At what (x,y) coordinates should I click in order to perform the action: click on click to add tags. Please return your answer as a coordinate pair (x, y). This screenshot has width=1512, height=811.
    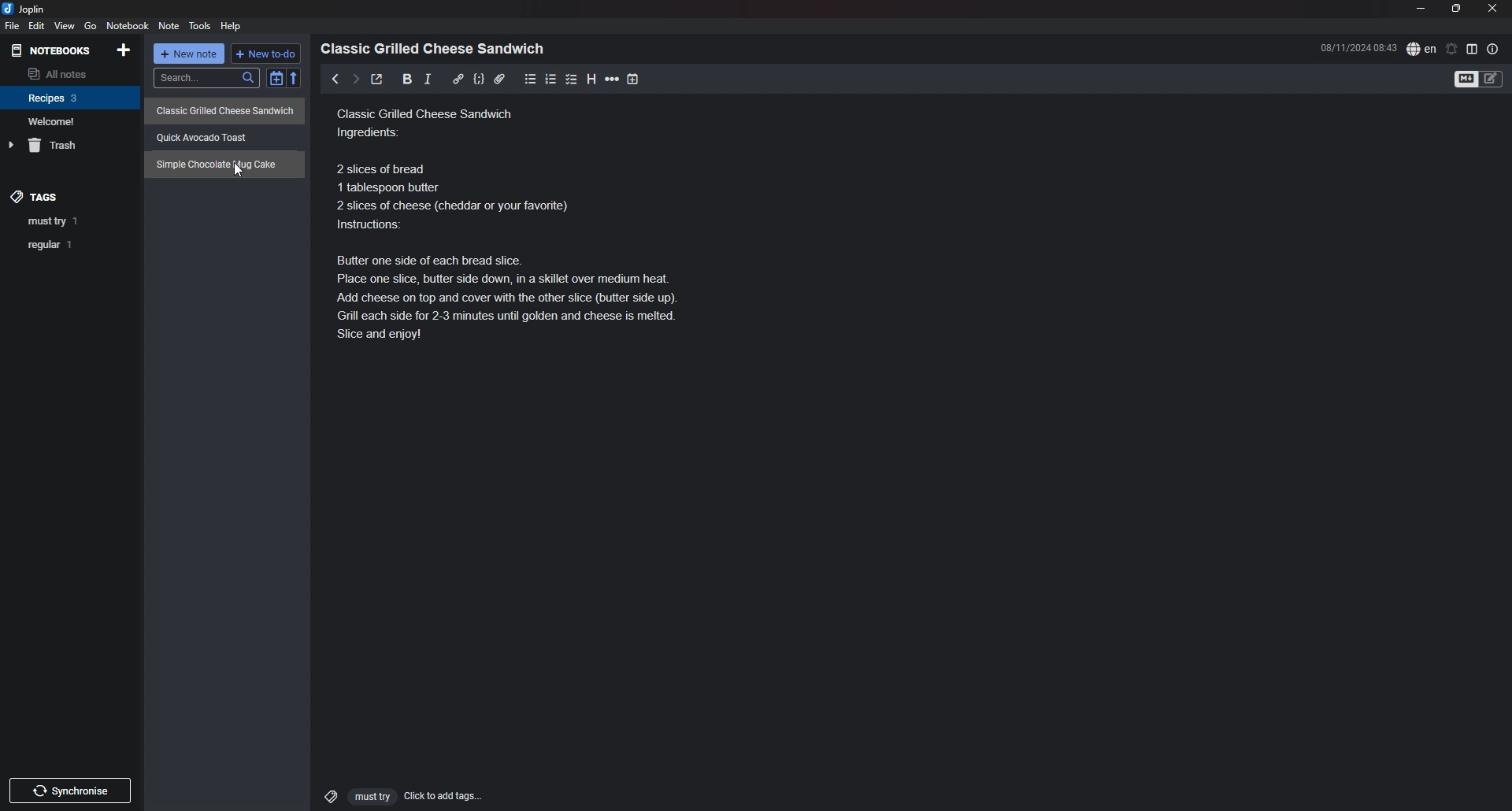
    Looking at the image, I should click on (396, 795).